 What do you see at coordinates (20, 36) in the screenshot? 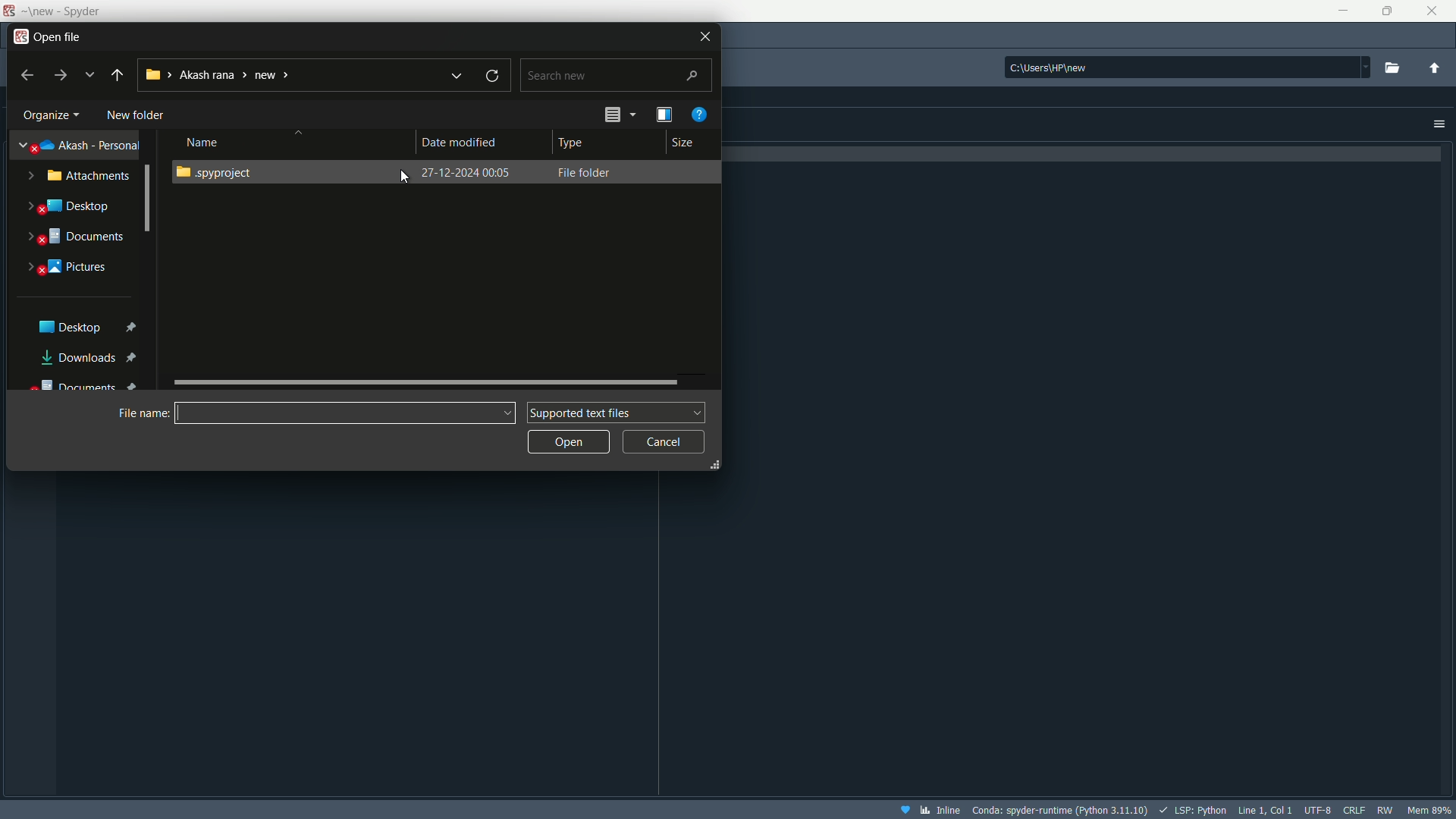
I see `app icon` at bounding box center [20, 36].